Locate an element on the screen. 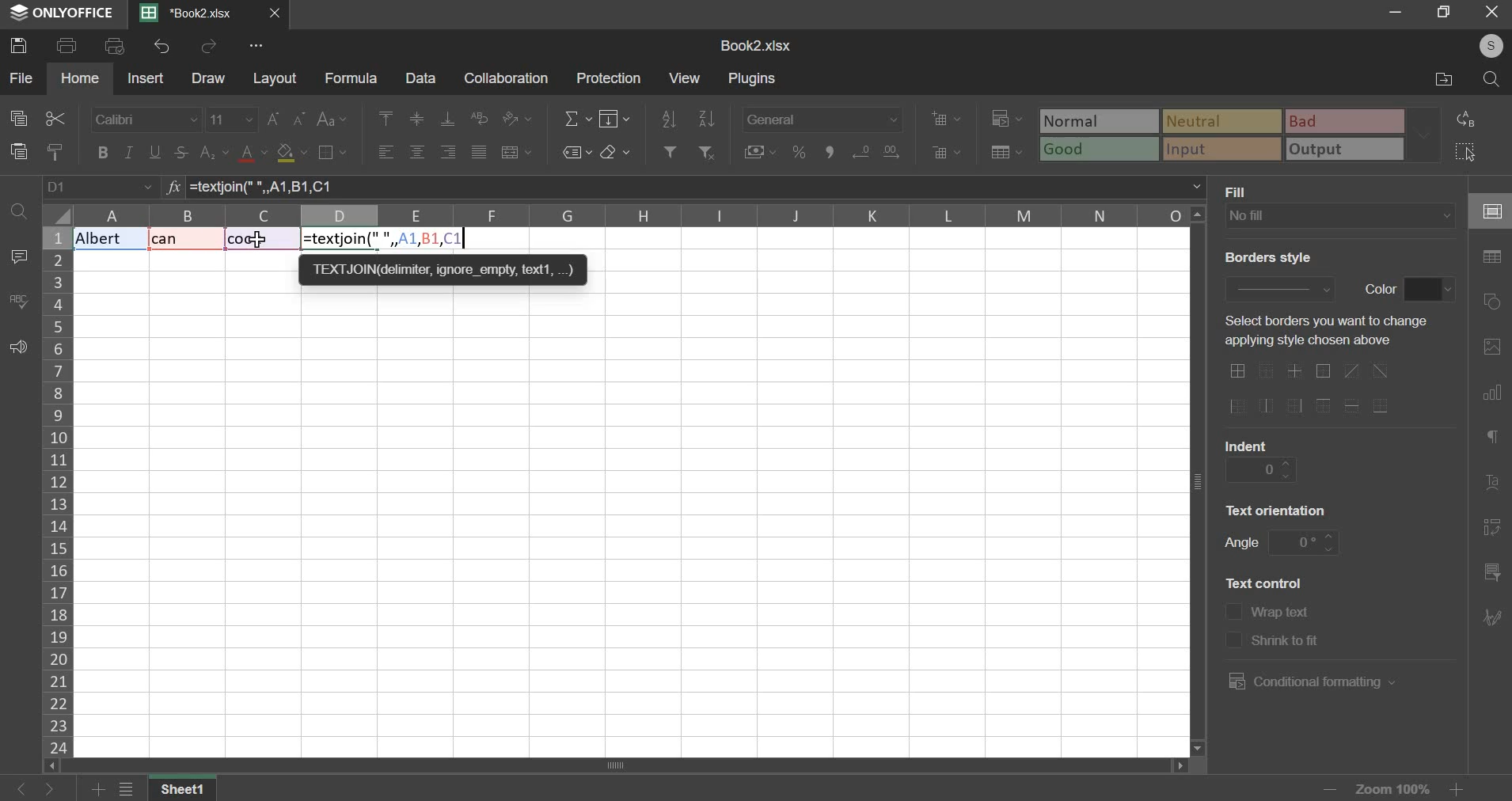 The width and height of the screenshot is (1512, 801). font is located at coordinates (145, 120).